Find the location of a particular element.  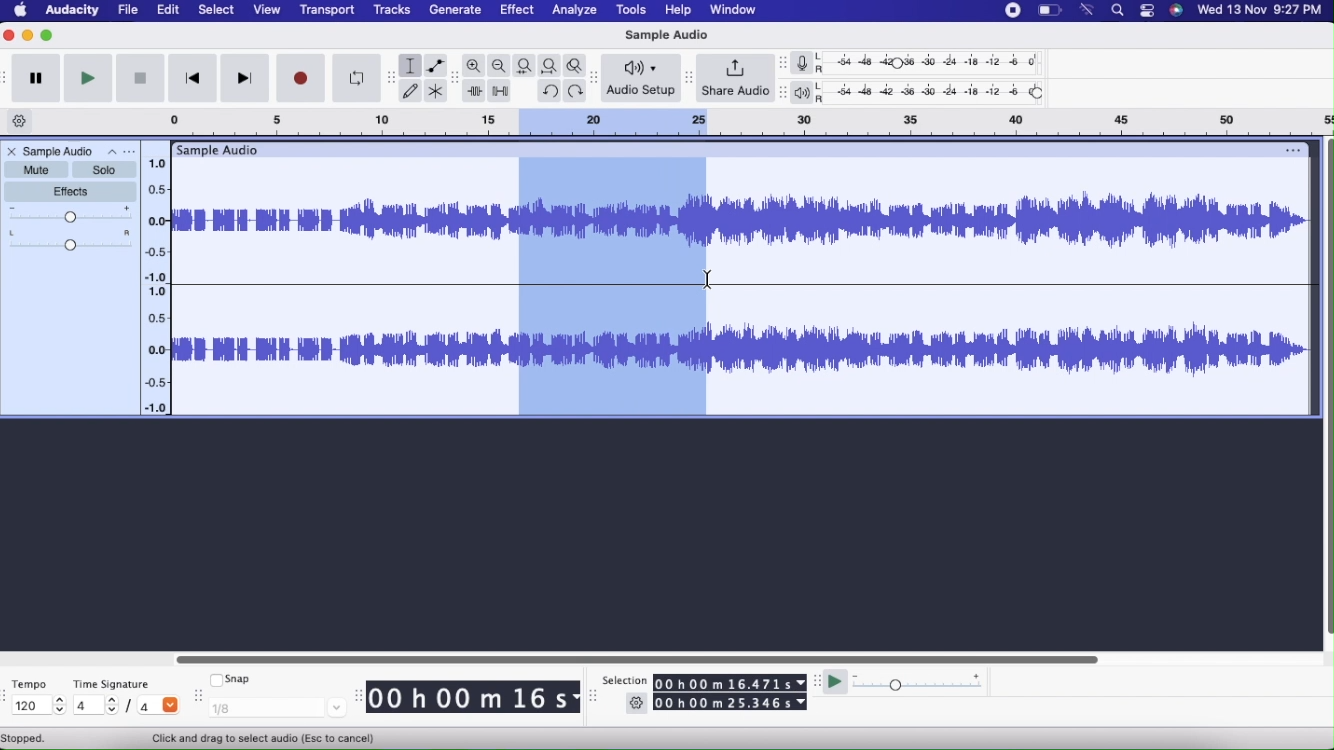

Zoom out is located at coordinates (500, 66).